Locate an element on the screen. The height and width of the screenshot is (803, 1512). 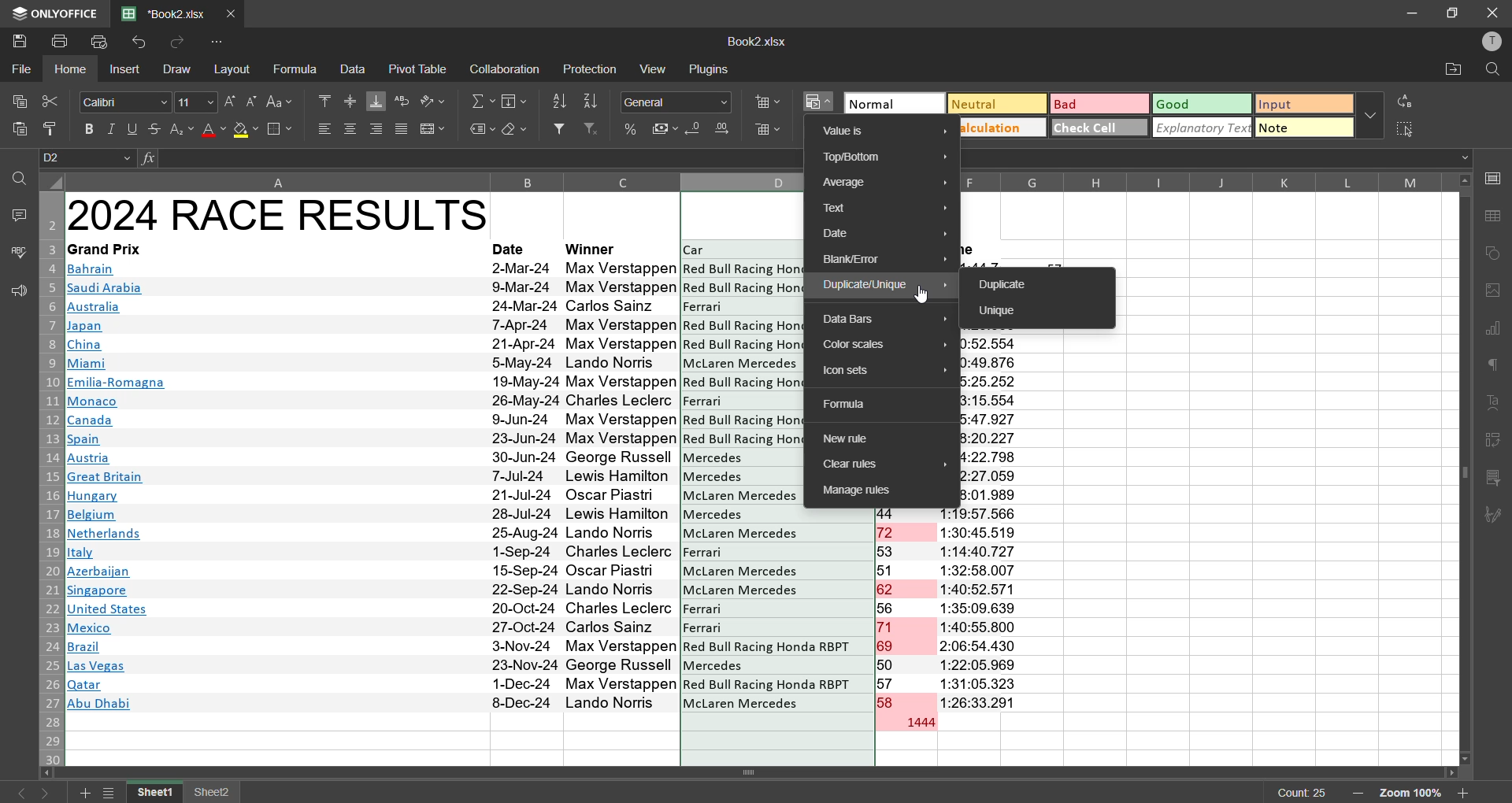
color scales is located at coordinates (881, 345).